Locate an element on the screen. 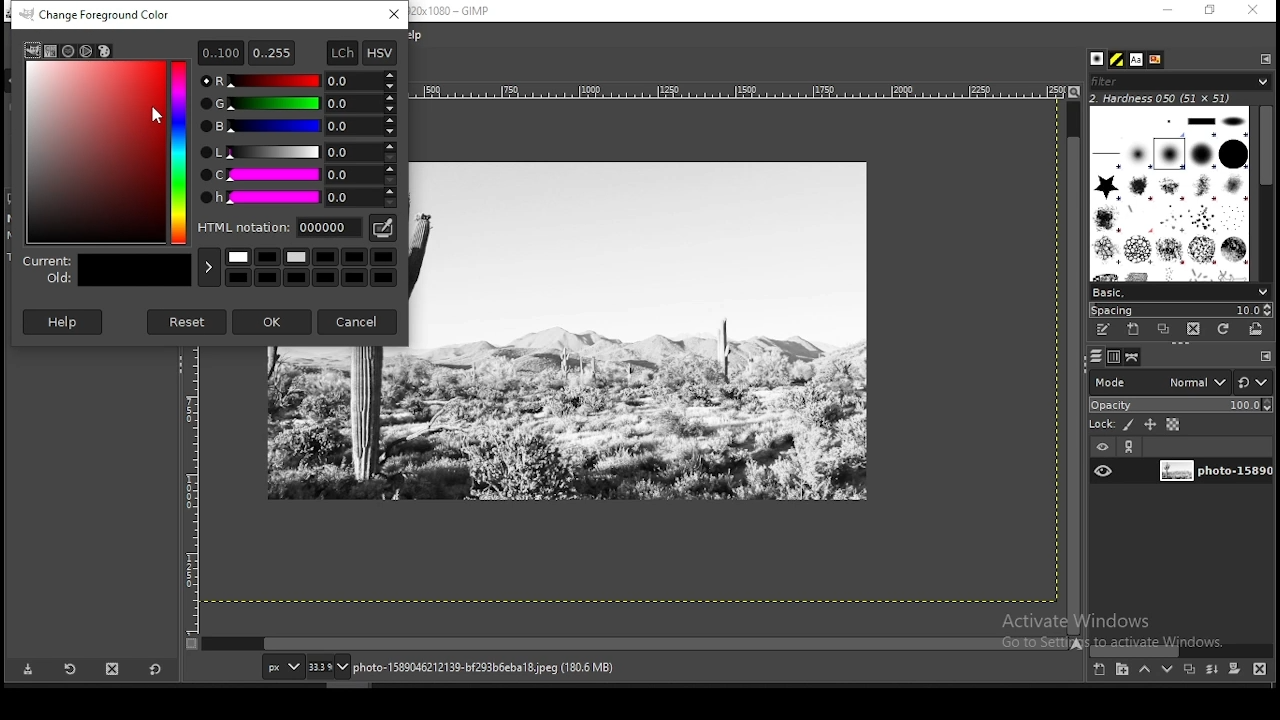  create a new brush is located at coordinates (1136, 330).